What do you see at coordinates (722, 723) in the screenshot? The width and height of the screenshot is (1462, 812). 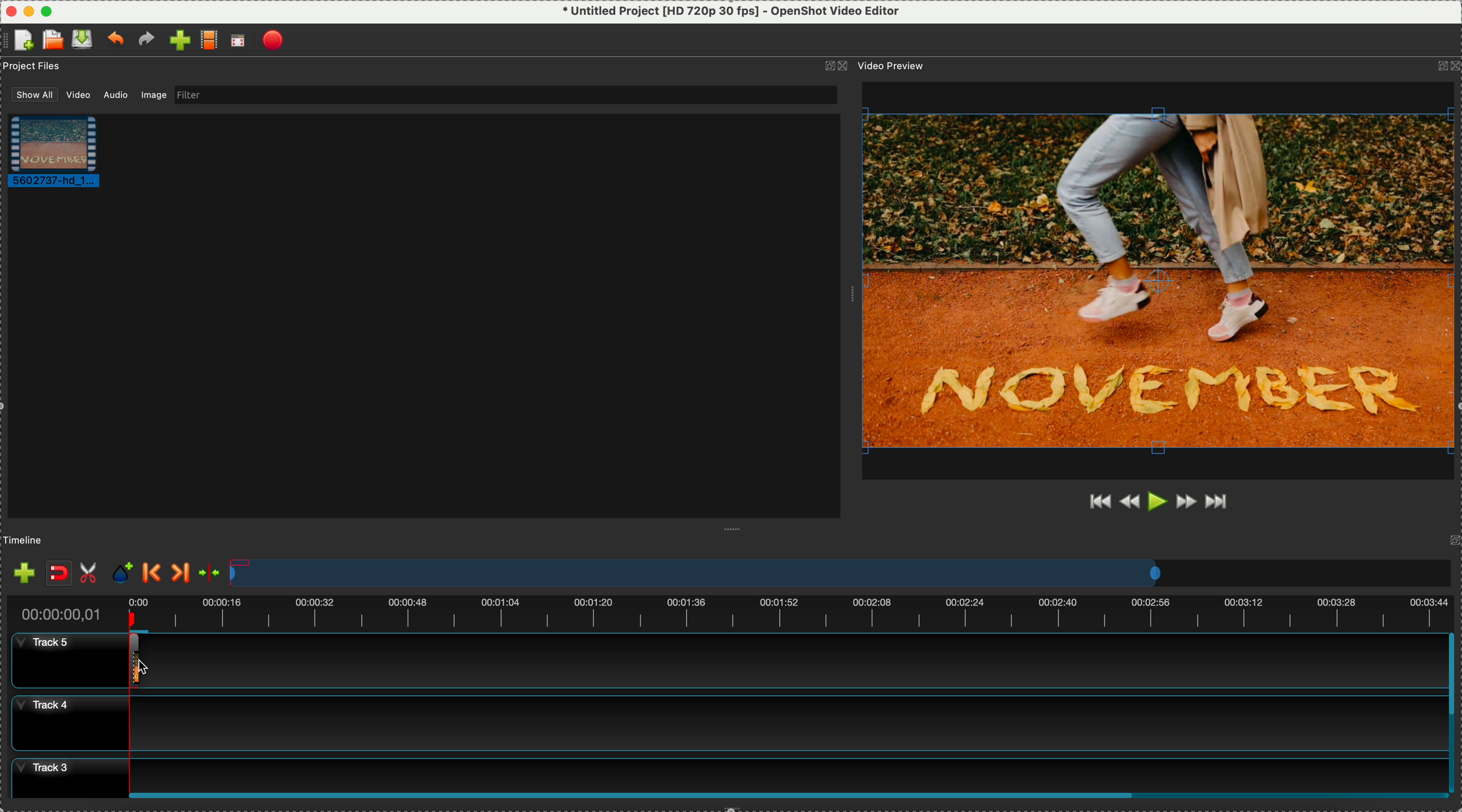 I see `track 4` at bounding box center [722, 723].